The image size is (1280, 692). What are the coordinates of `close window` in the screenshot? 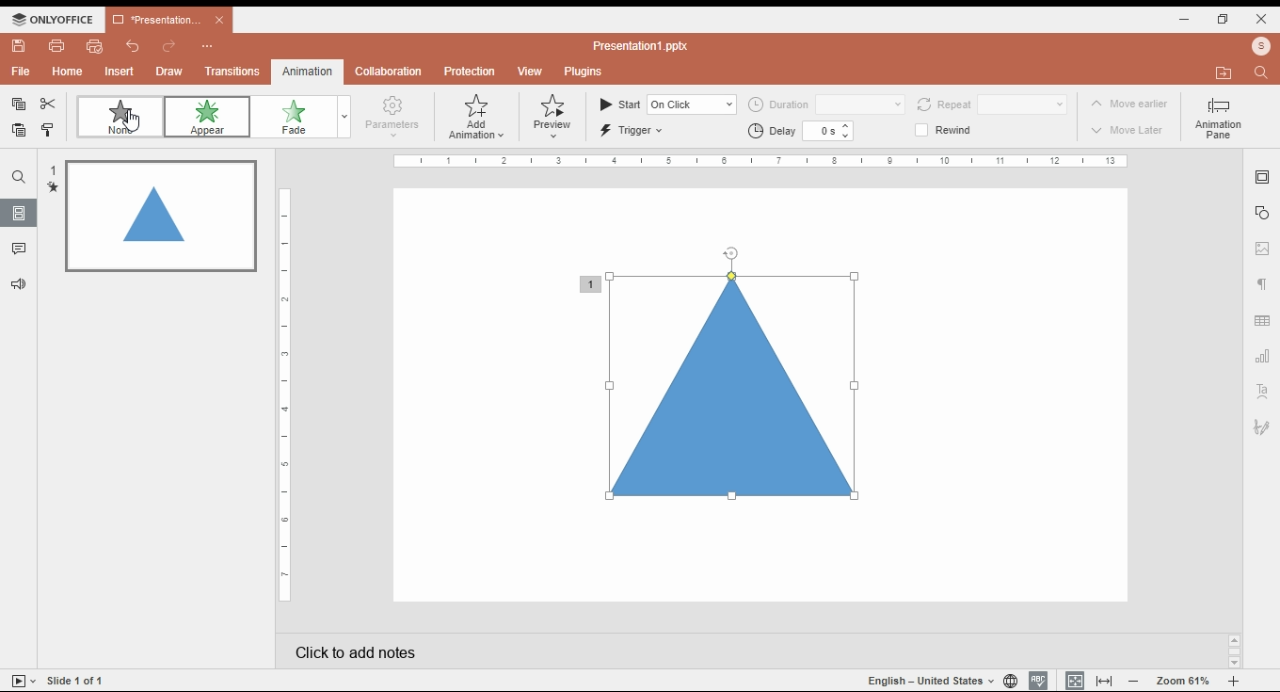 It's located at (1260, 20).